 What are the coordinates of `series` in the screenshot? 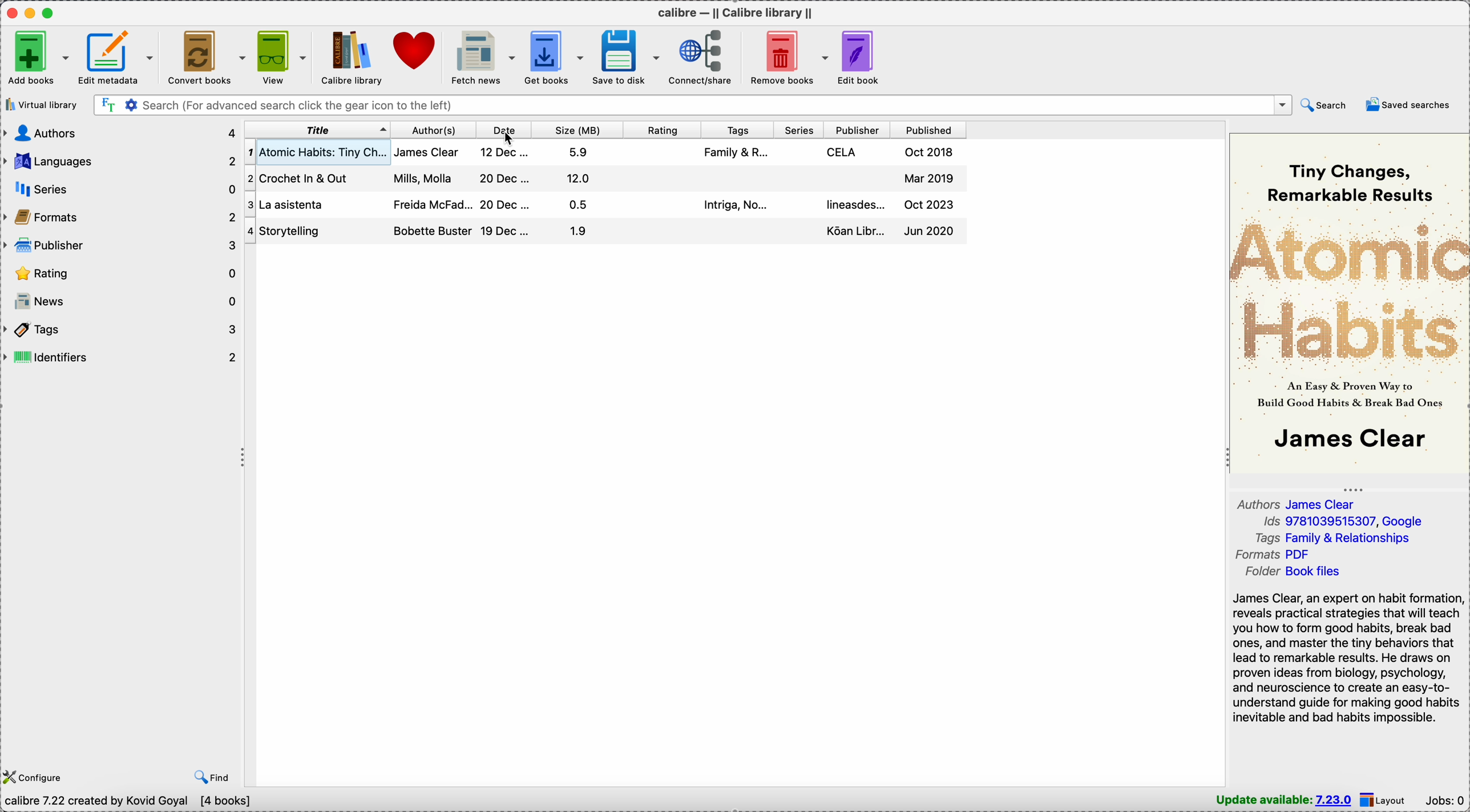 It's located at (800, 131).